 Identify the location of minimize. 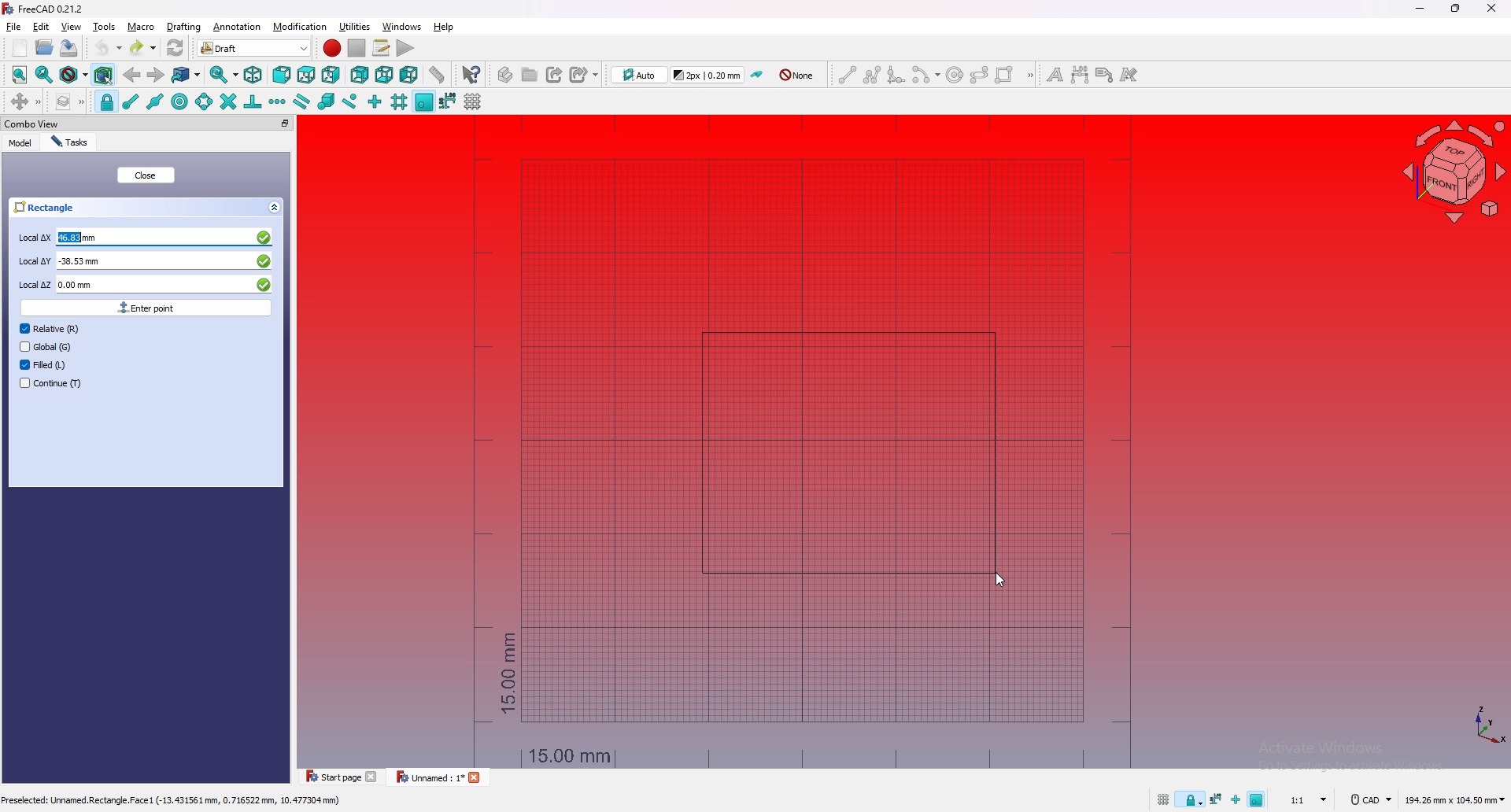
(1420, 9).